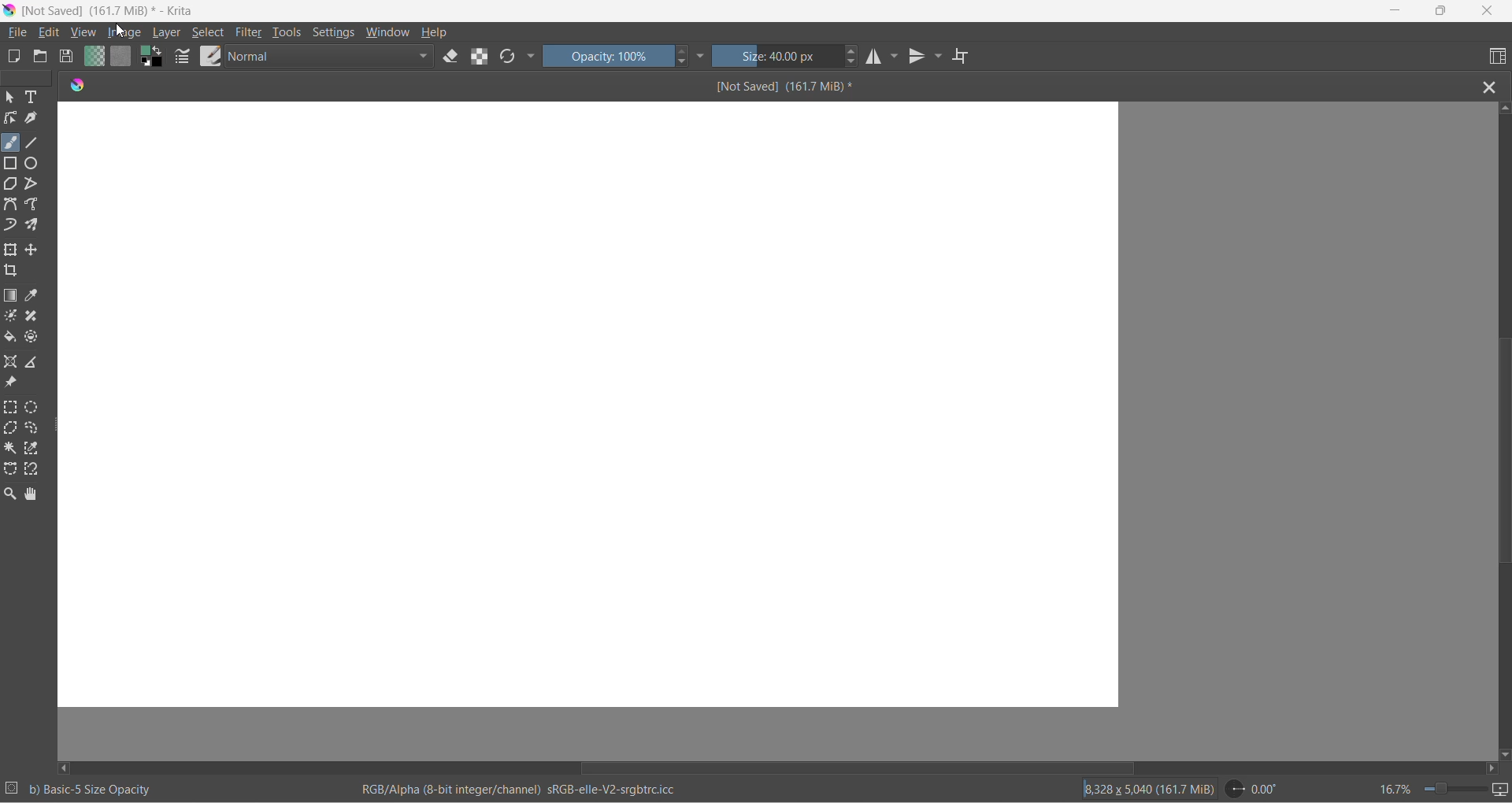 This screenshot has width=1512, height=803. Describe the element at coordinates (20, 33) in the screenshot. I see `file` at that location.